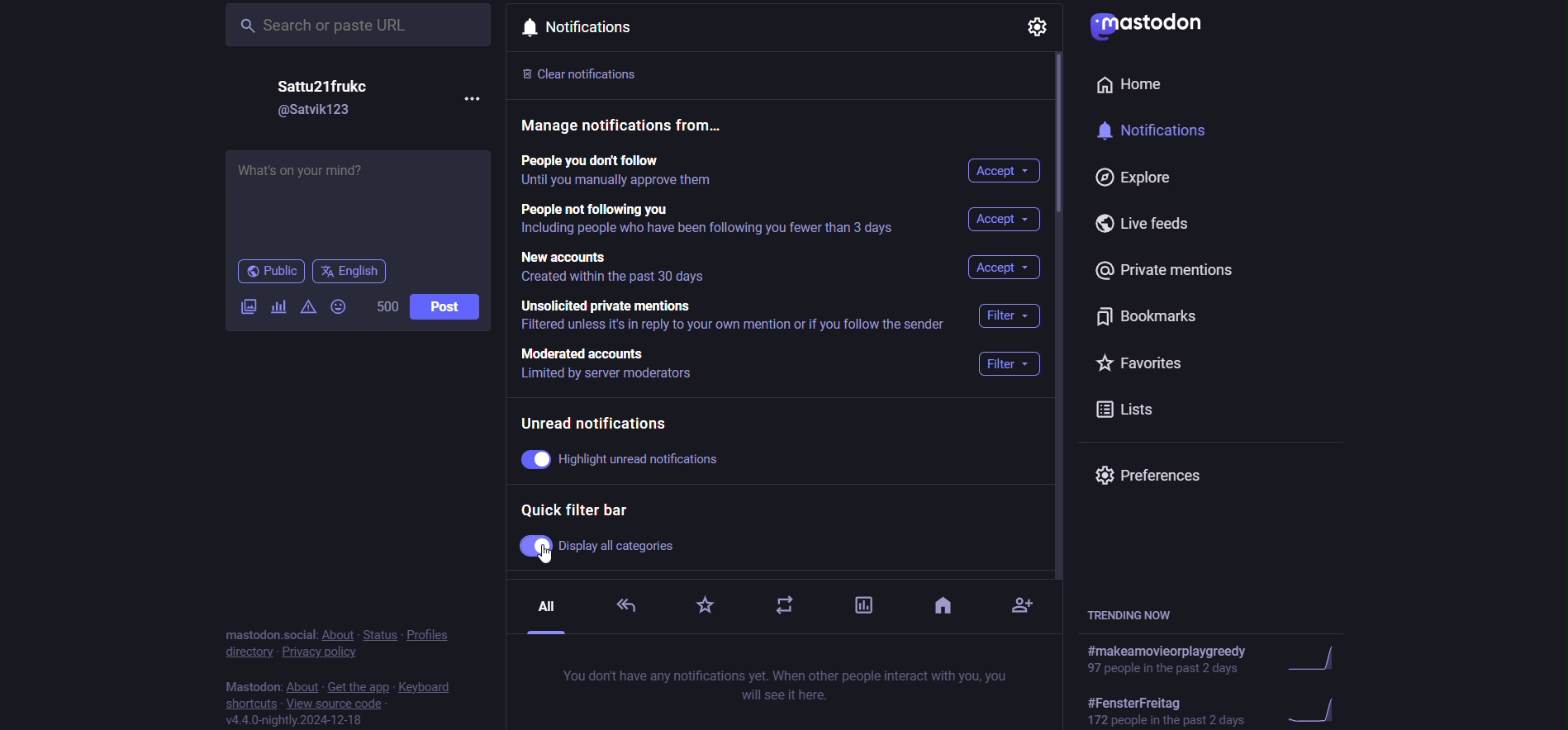  Describe the element at coordinates (1122, 175) in the screenshot. I see `explore` at that location.